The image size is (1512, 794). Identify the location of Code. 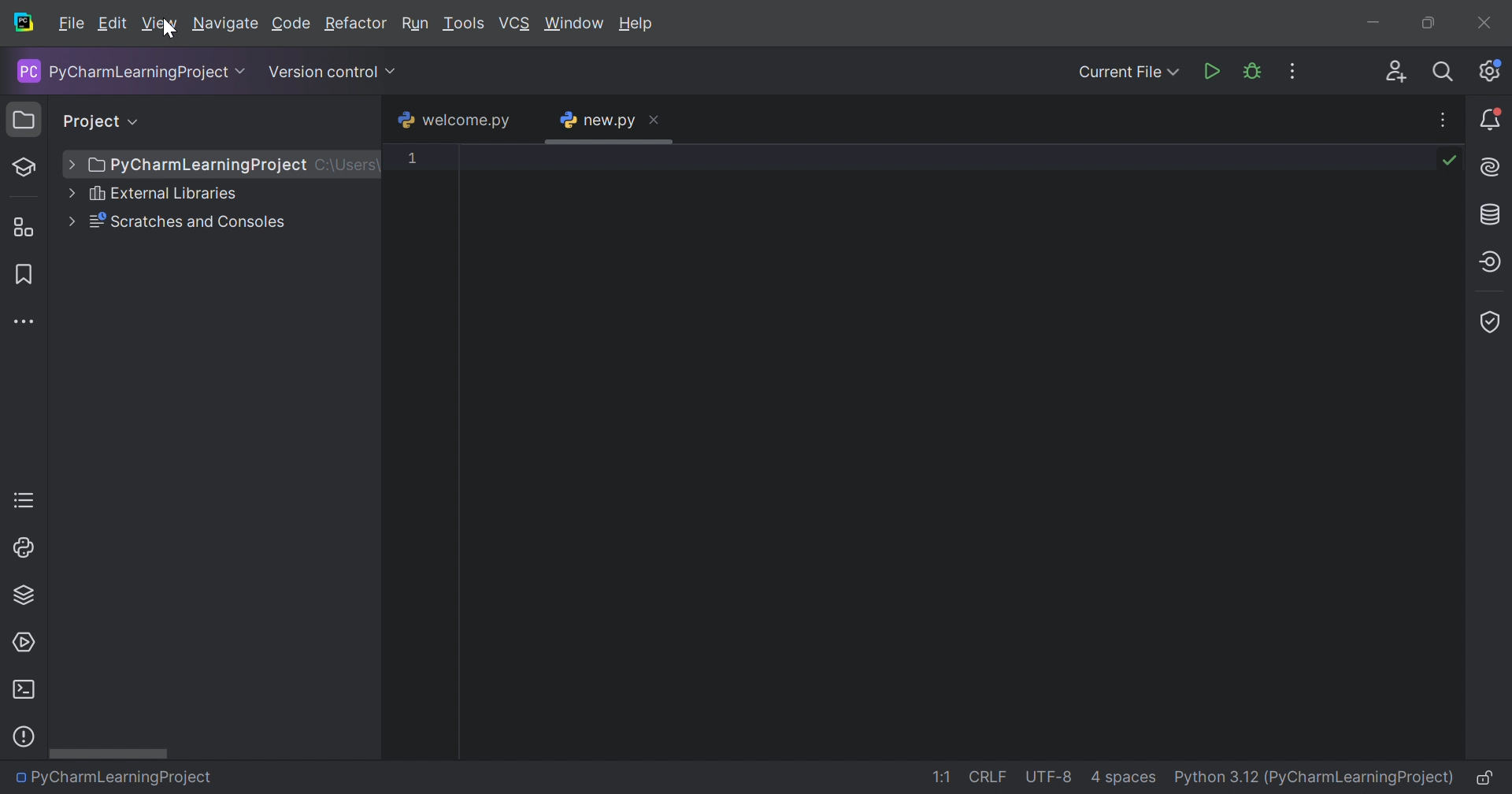
(291, 24).